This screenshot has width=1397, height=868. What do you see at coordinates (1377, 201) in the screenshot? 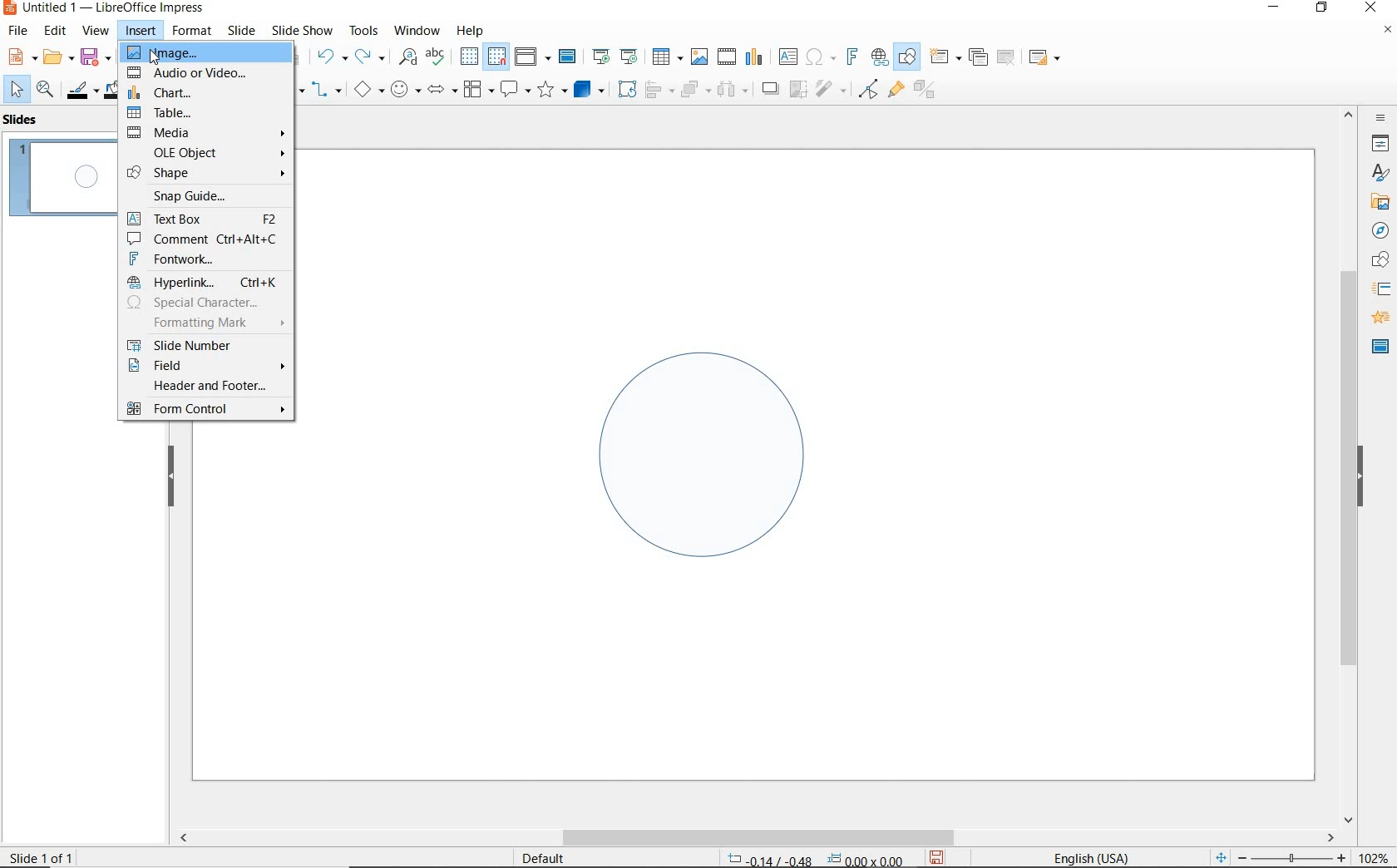
I see `gallery` at bounding box center [1377, 201].